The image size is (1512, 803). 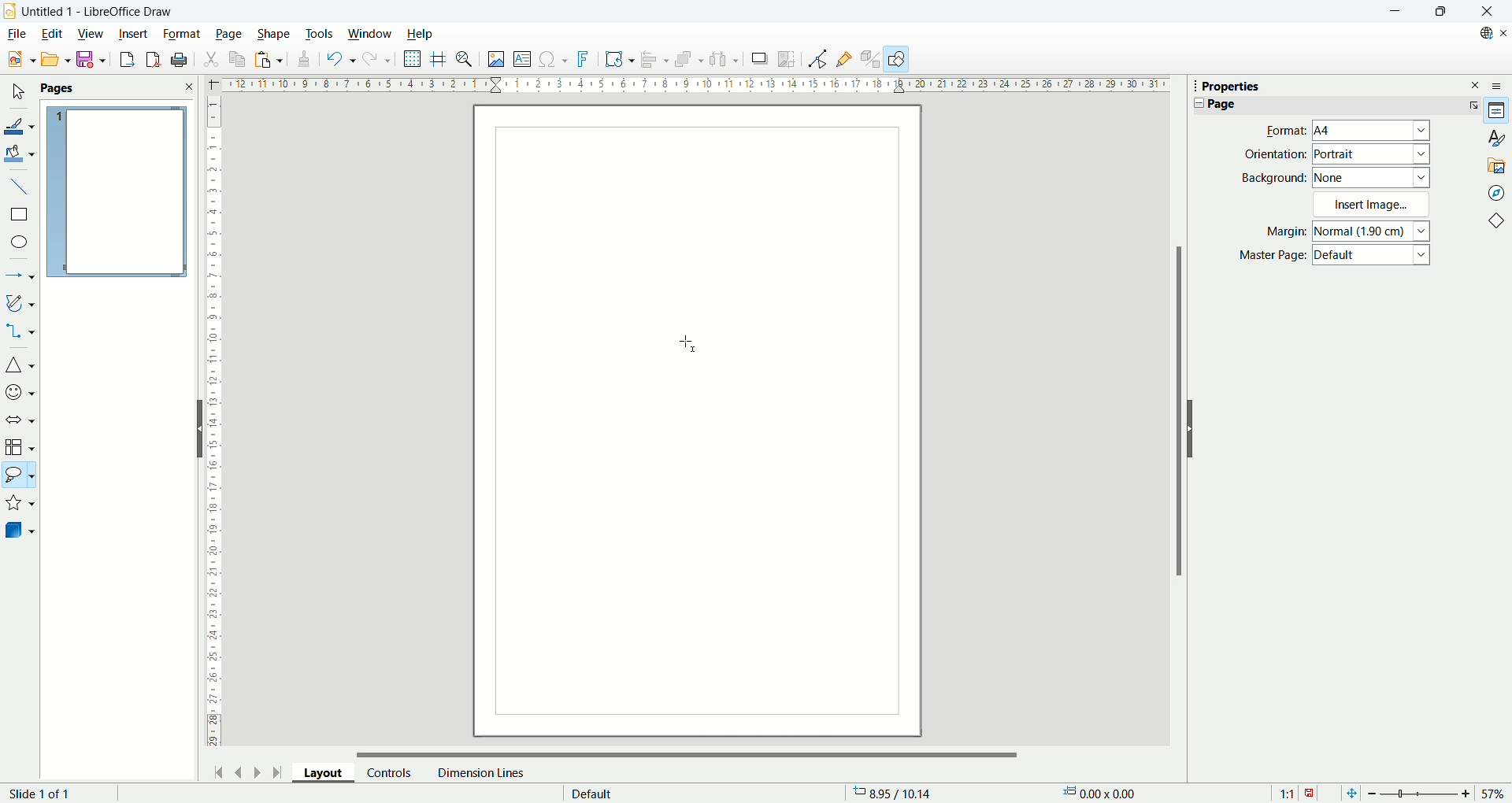 I want to click on line color, so click(x=20, y=124).